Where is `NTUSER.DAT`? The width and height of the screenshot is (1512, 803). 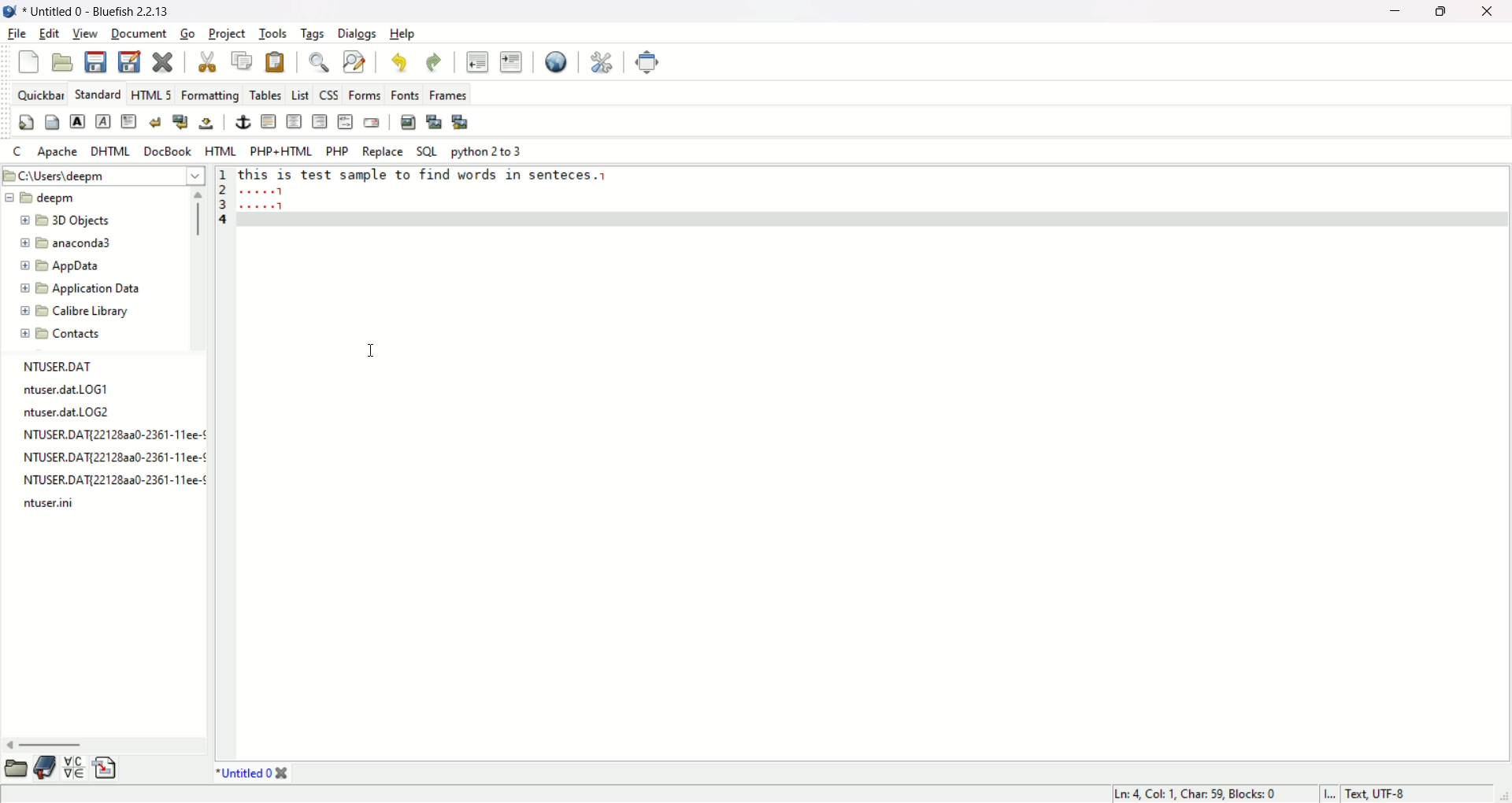
NTUSER.DAT is located at coordinates (75, 366).